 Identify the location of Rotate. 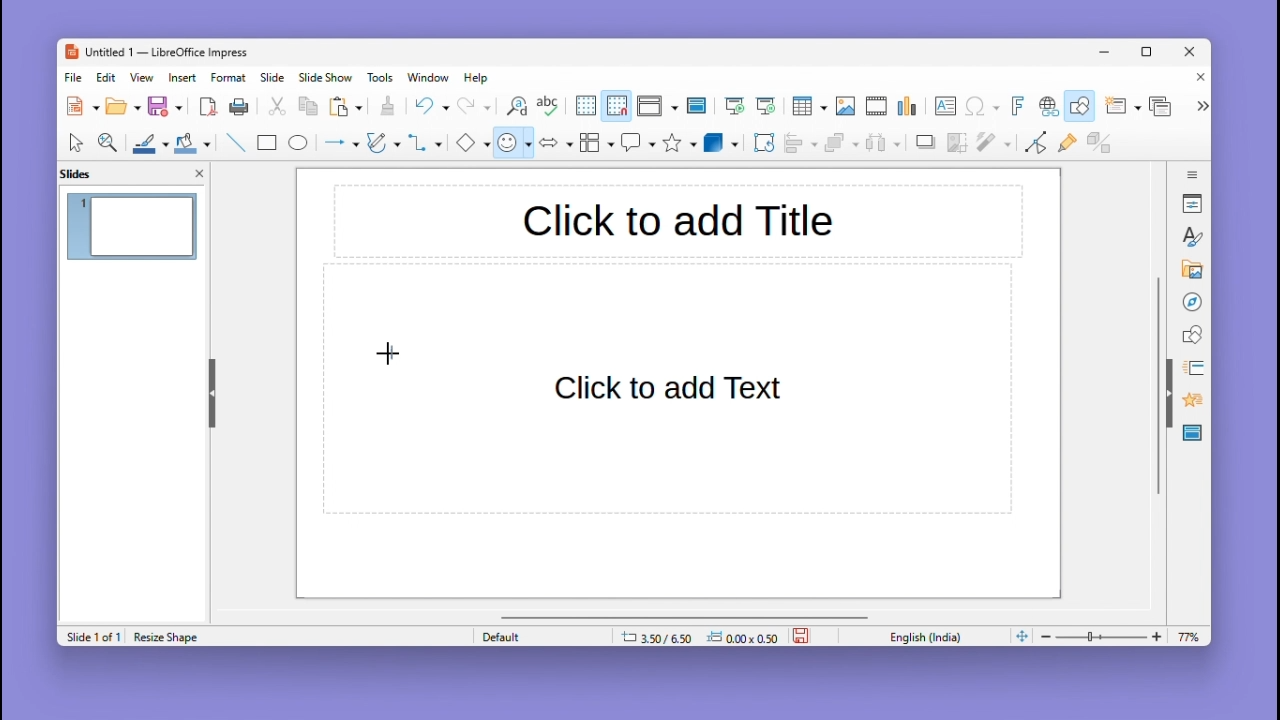
(762, 142).